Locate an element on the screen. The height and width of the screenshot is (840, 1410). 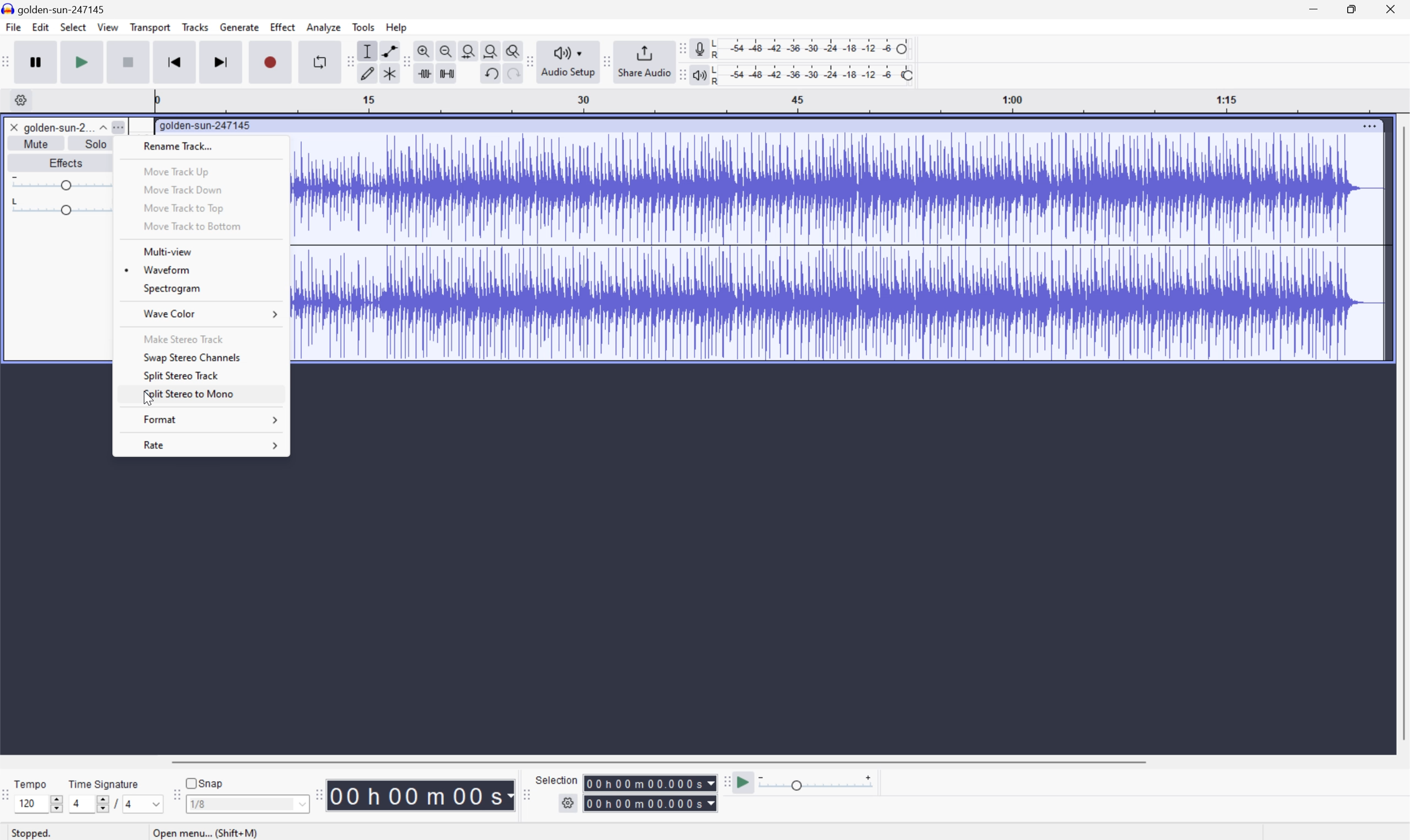
Fit selection to width is located at coordinates (466, 49).